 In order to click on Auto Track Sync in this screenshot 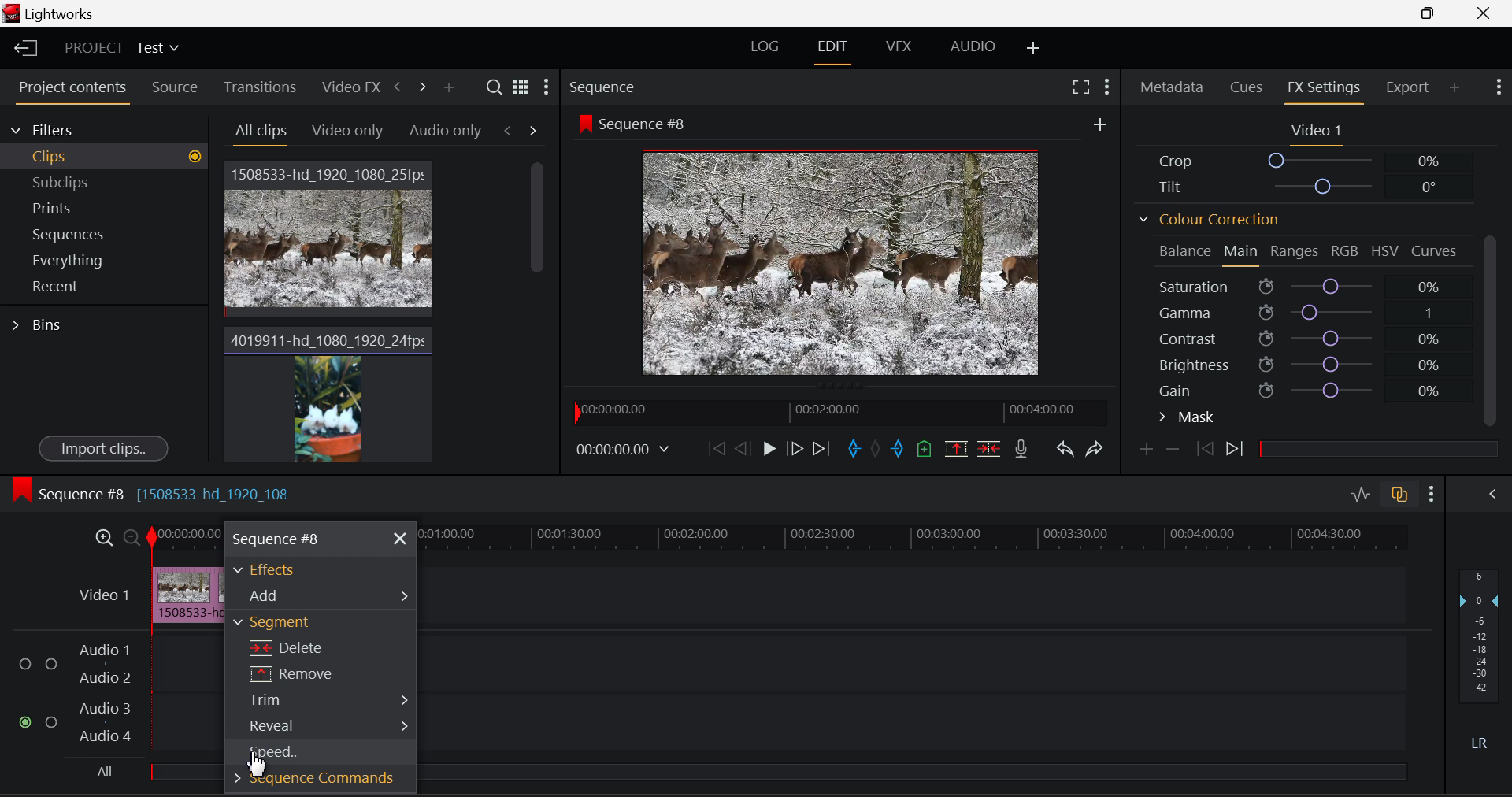, I will do `click(1399, 496)`.